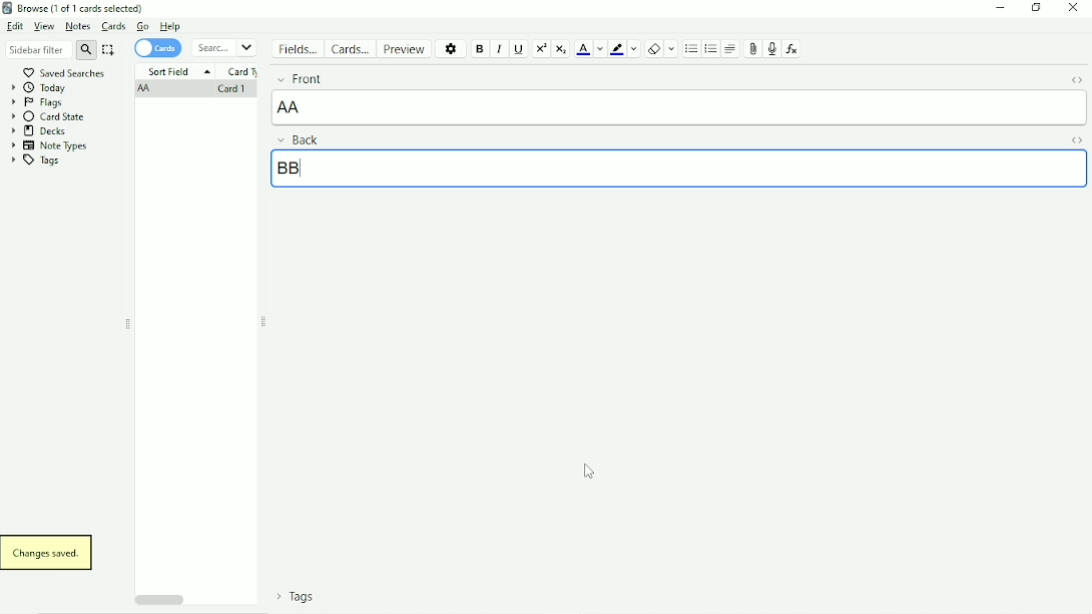 This screenshot has width=1092, height=614. I want to click on Fields, so click(297, 49).